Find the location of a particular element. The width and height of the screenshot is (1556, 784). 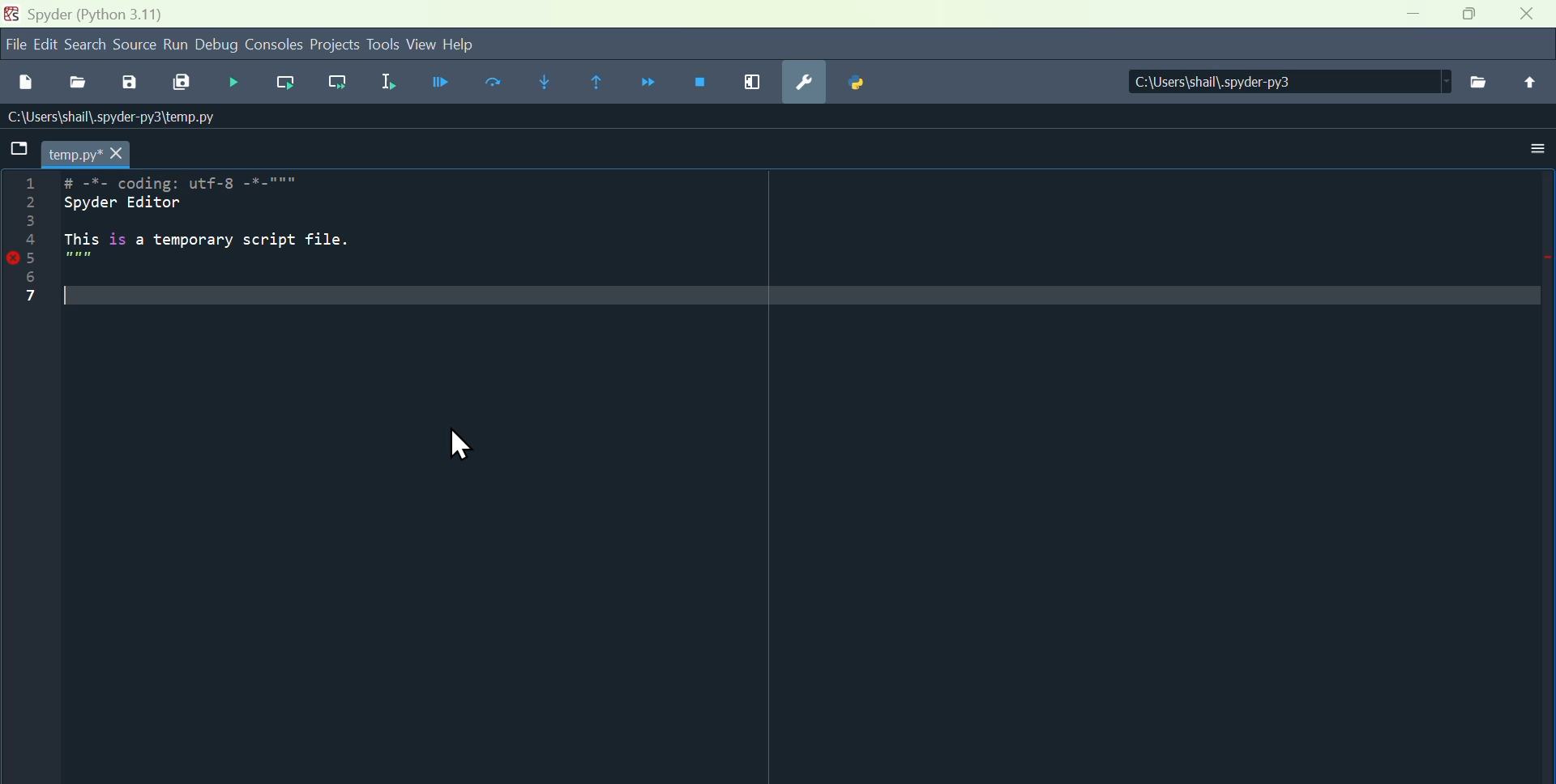

Project is located at coordinates (335, 45).